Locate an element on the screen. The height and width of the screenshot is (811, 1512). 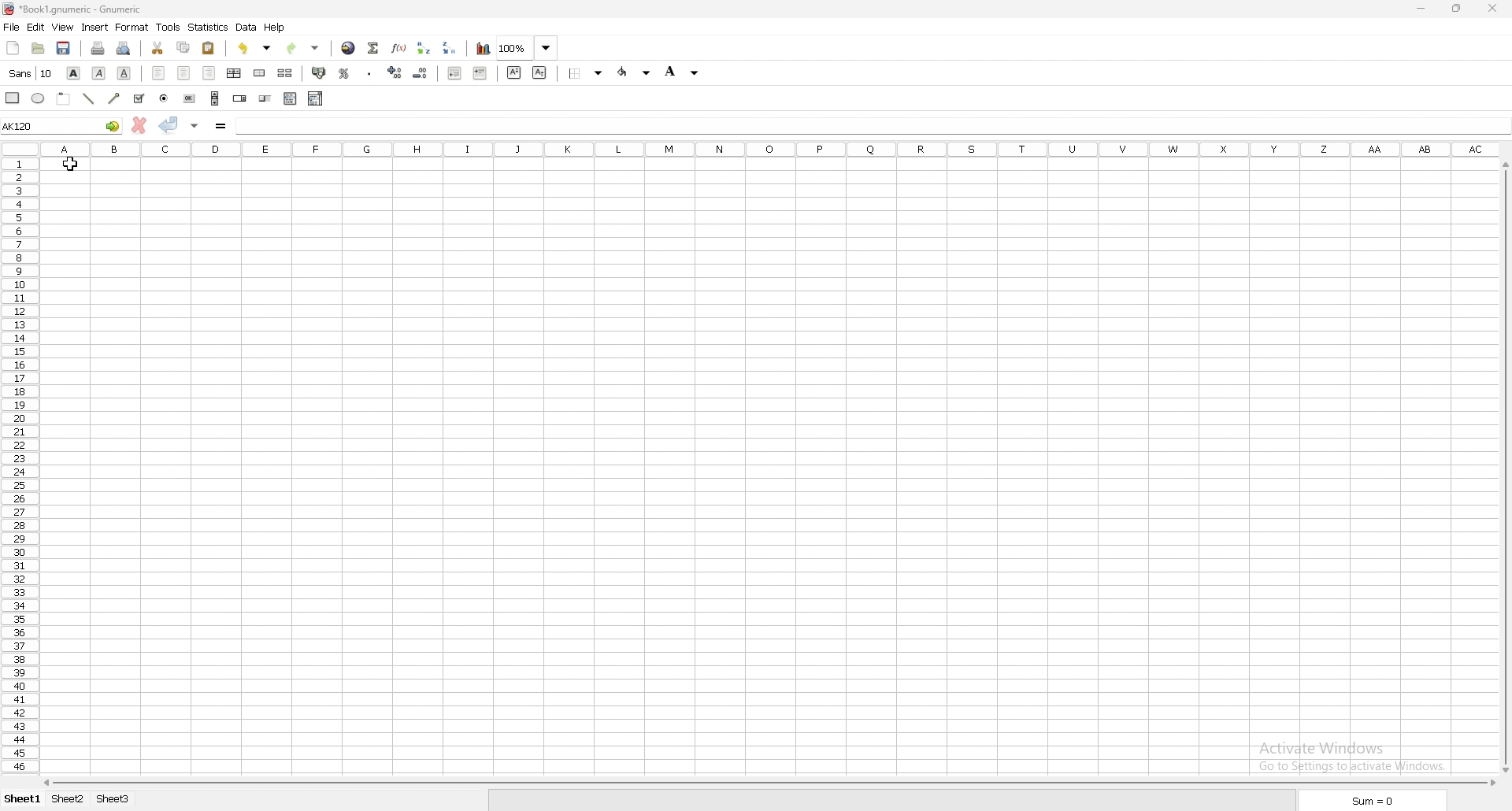
columns is located at coordinates (768, 149).